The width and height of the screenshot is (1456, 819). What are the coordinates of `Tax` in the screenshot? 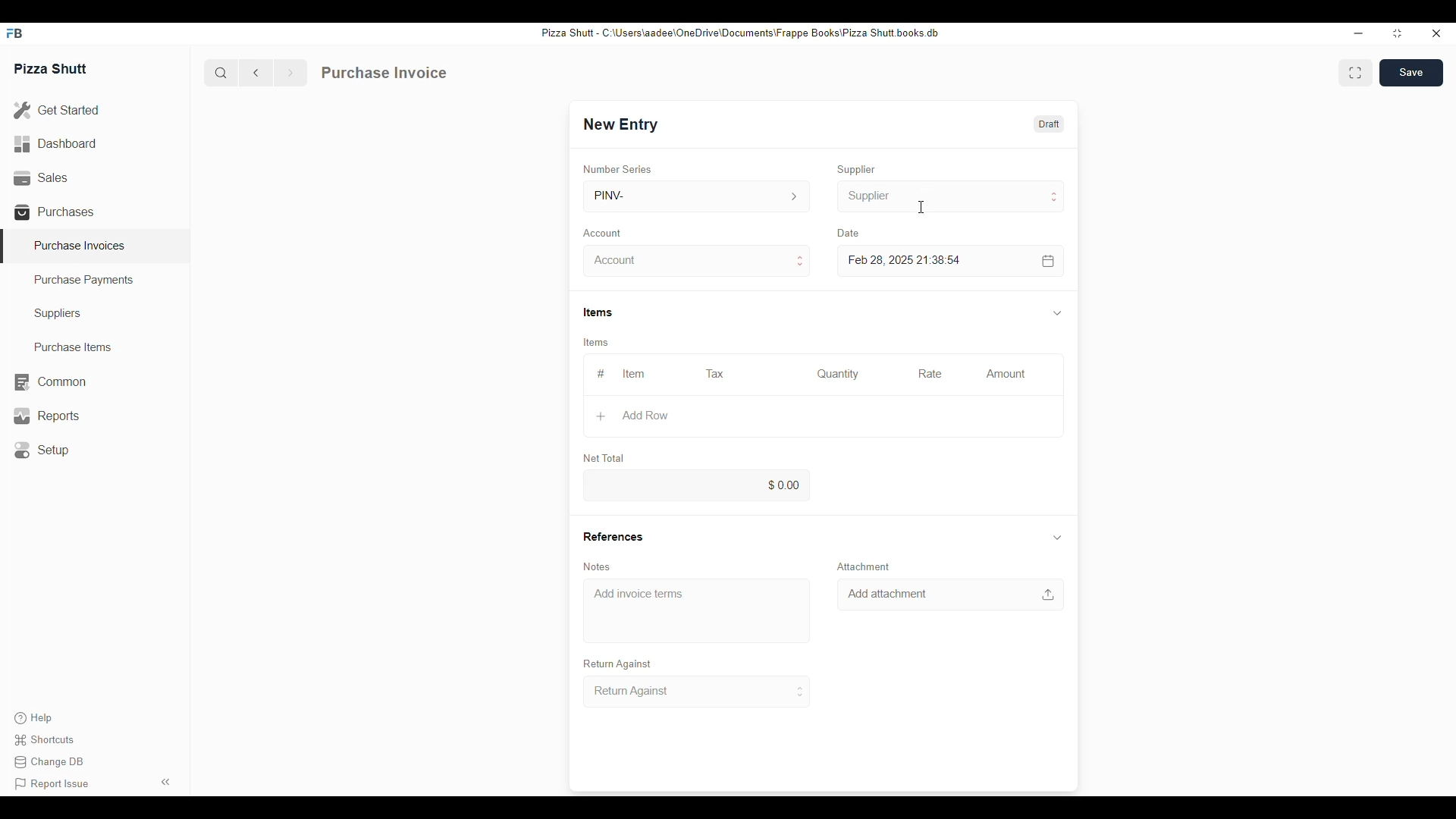 It's located at (713, 373).